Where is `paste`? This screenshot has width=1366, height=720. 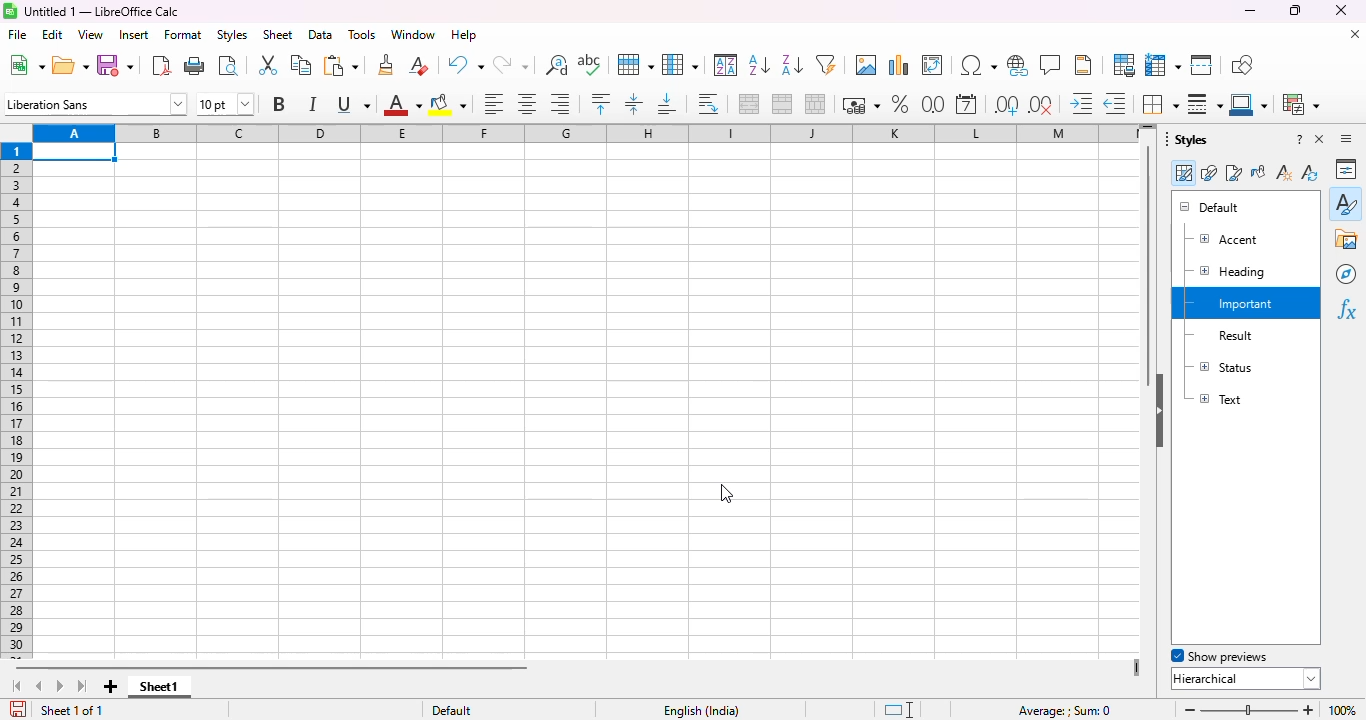 paste is located at coordinates (341, 65).